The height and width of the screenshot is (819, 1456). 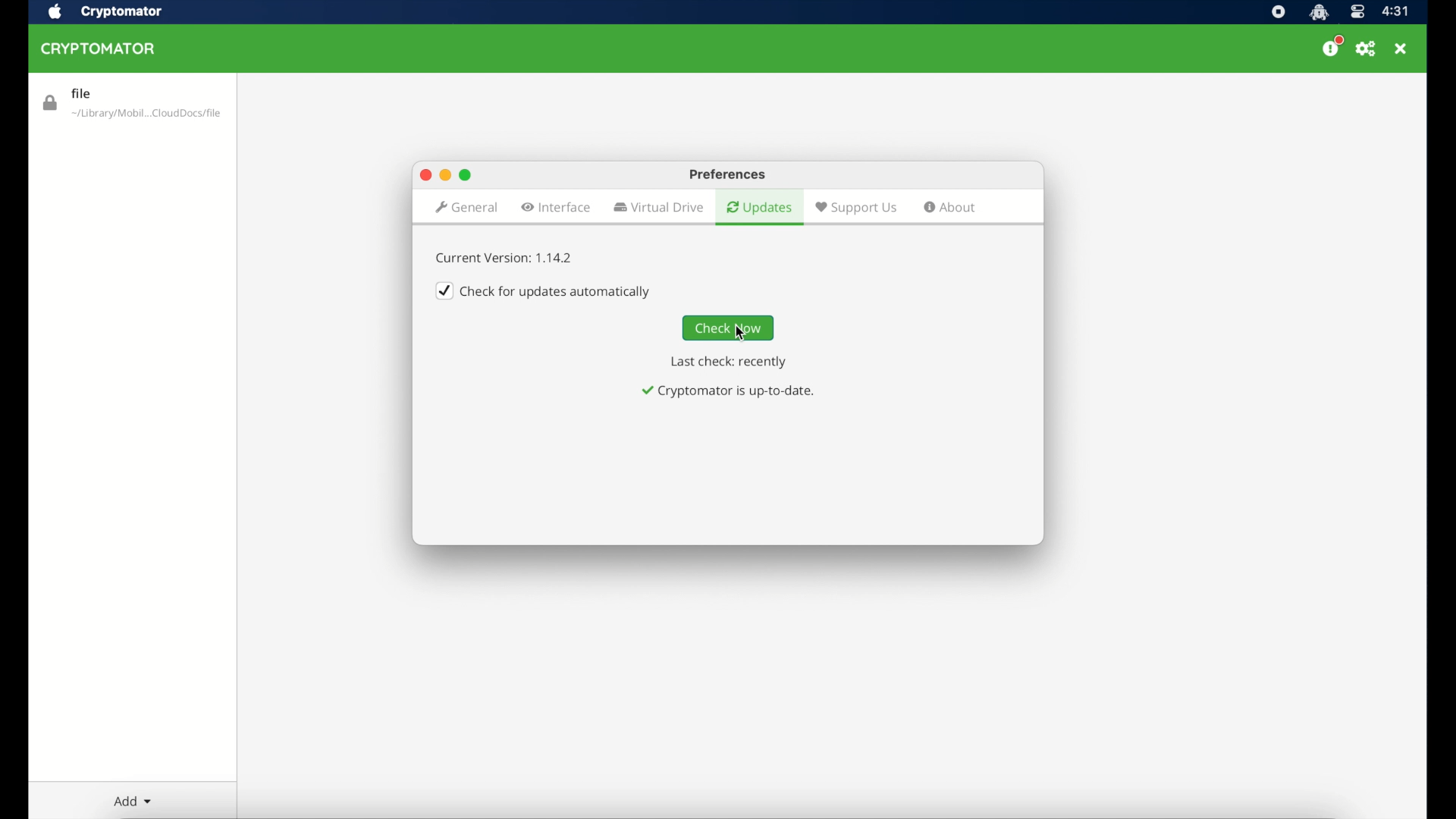 I want to click on maximize, so click(x=466, y=174).